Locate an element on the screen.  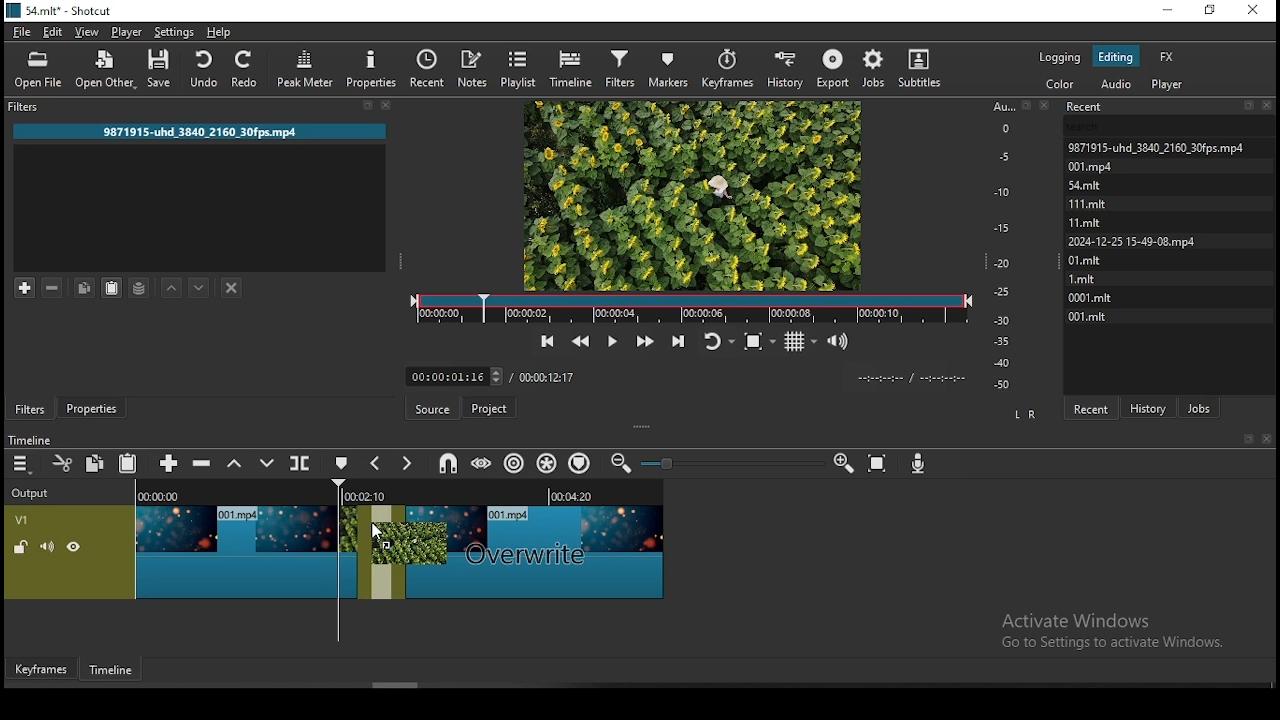
previous marker is located at coordinates (375, 464).